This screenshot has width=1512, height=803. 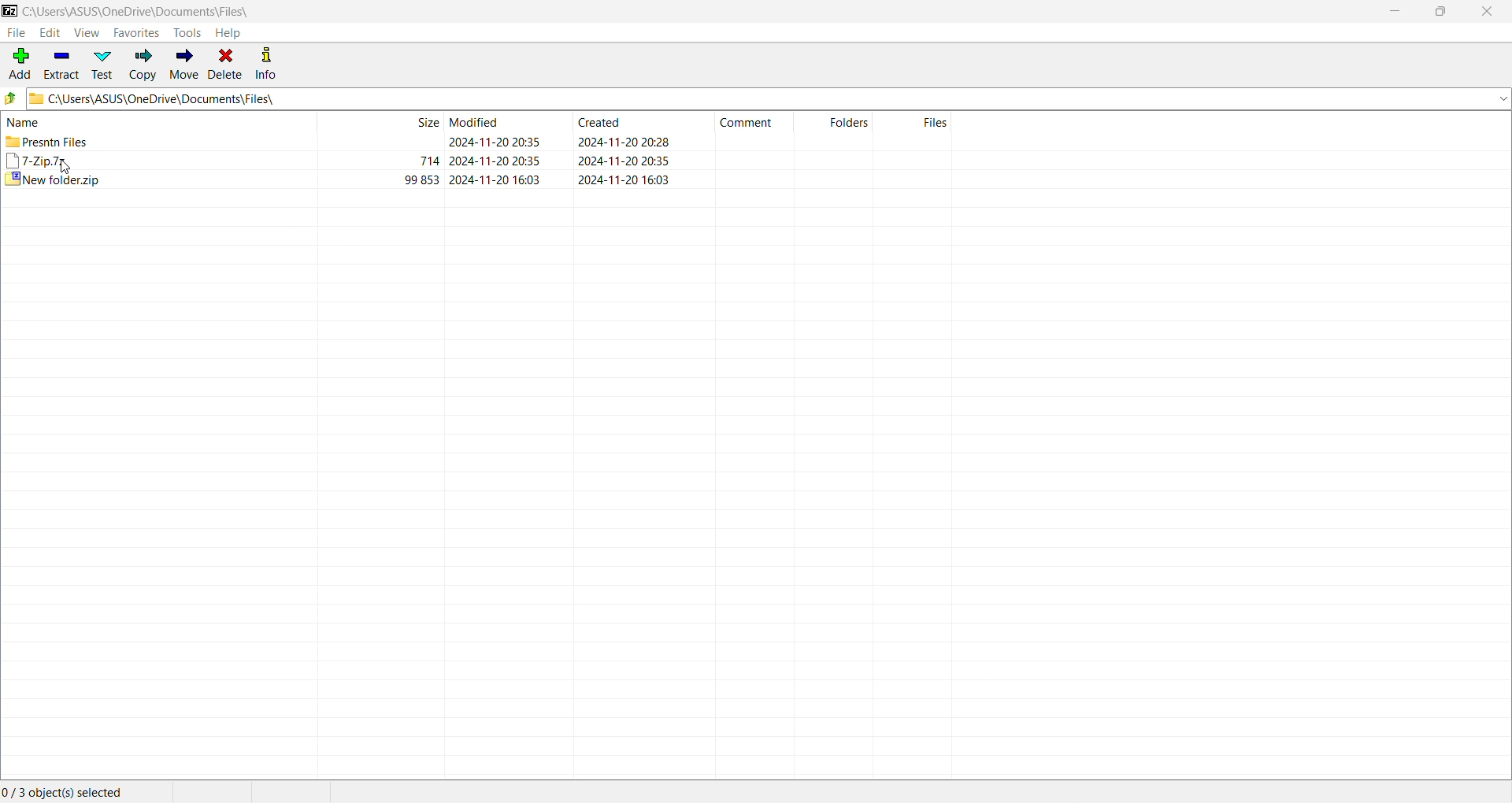 What do you see at coordinates (87, 32) in the screenshot?
I see `View` at bounding box center [87, 32].